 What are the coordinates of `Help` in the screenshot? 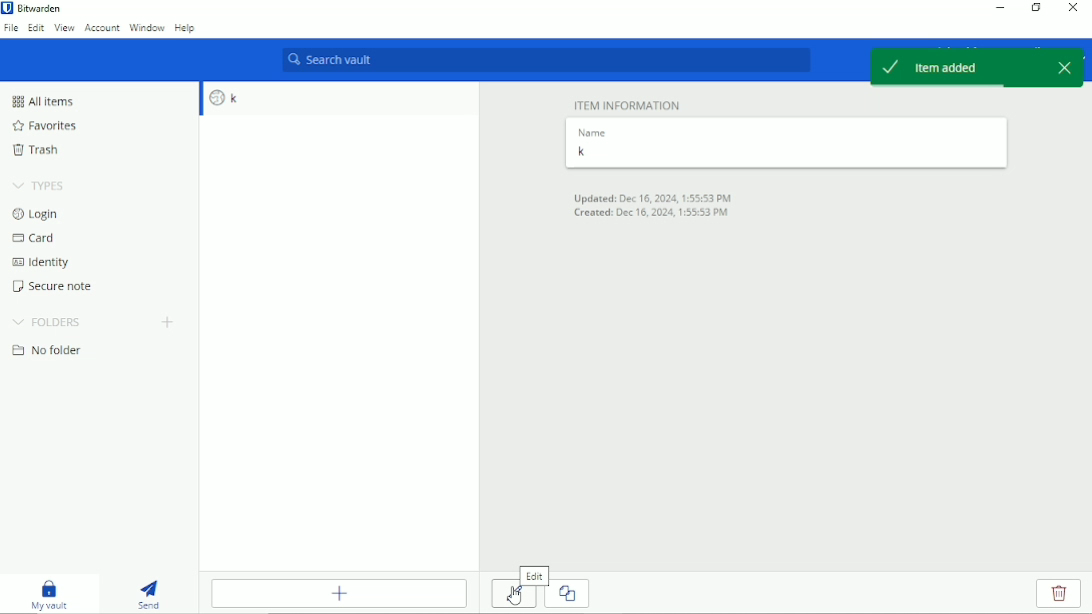 It's located at (184, 27).